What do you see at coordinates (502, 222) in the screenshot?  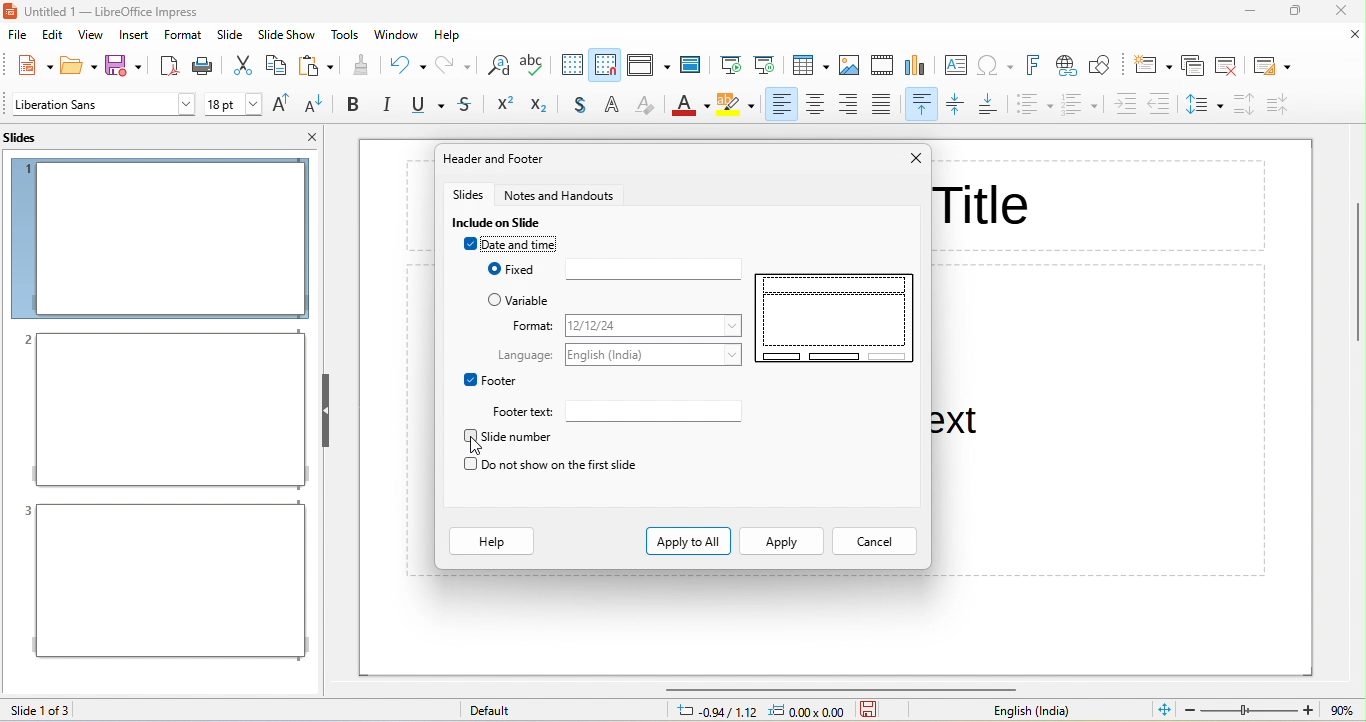 I see `include on slide` at bounding box center [502, 222].